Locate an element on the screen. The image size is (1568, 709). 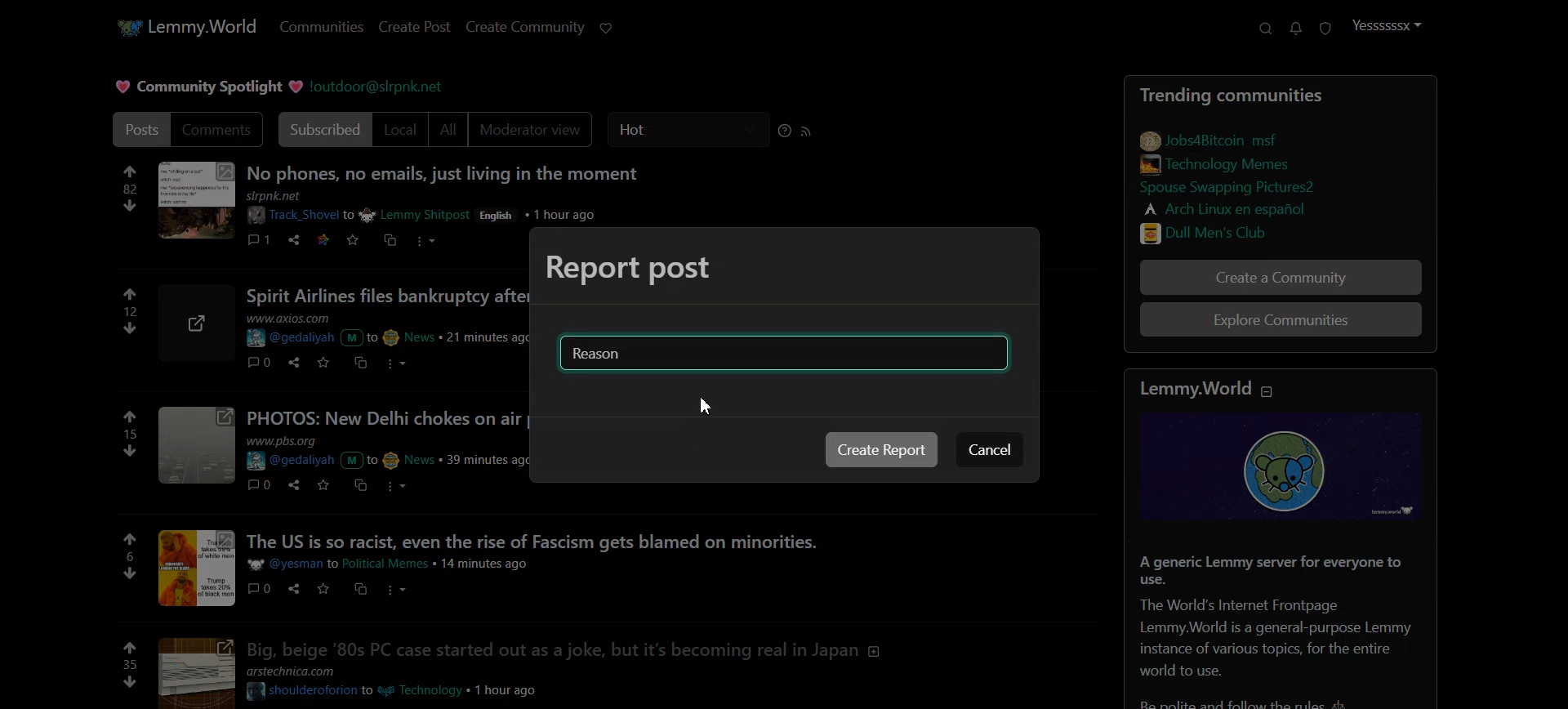
Sorting help is located at coordinates (785, 131).